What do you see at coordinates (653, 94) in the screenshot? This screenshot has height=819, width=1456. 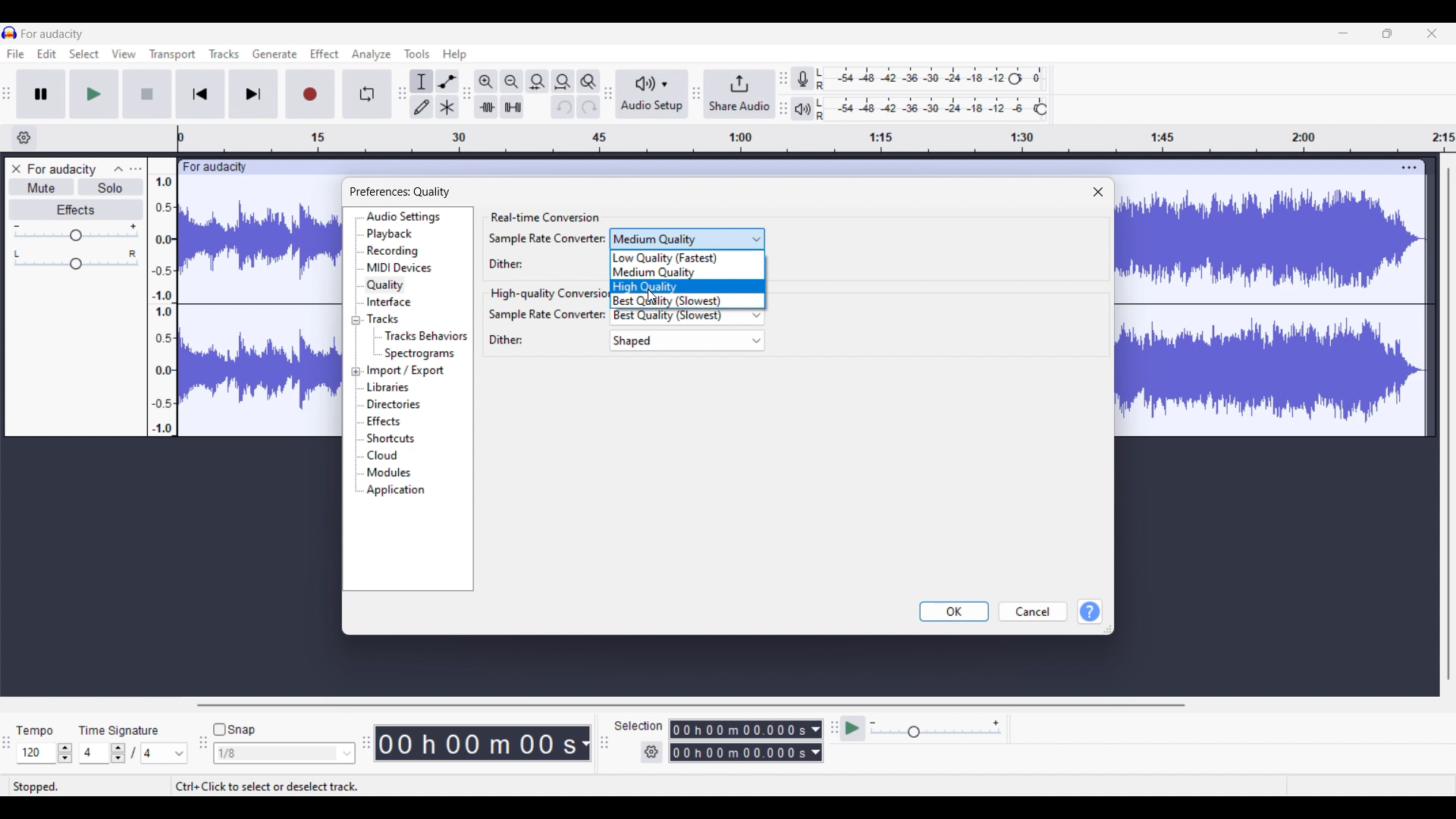 I see `Audio setup` at bounding box center [653, 94].